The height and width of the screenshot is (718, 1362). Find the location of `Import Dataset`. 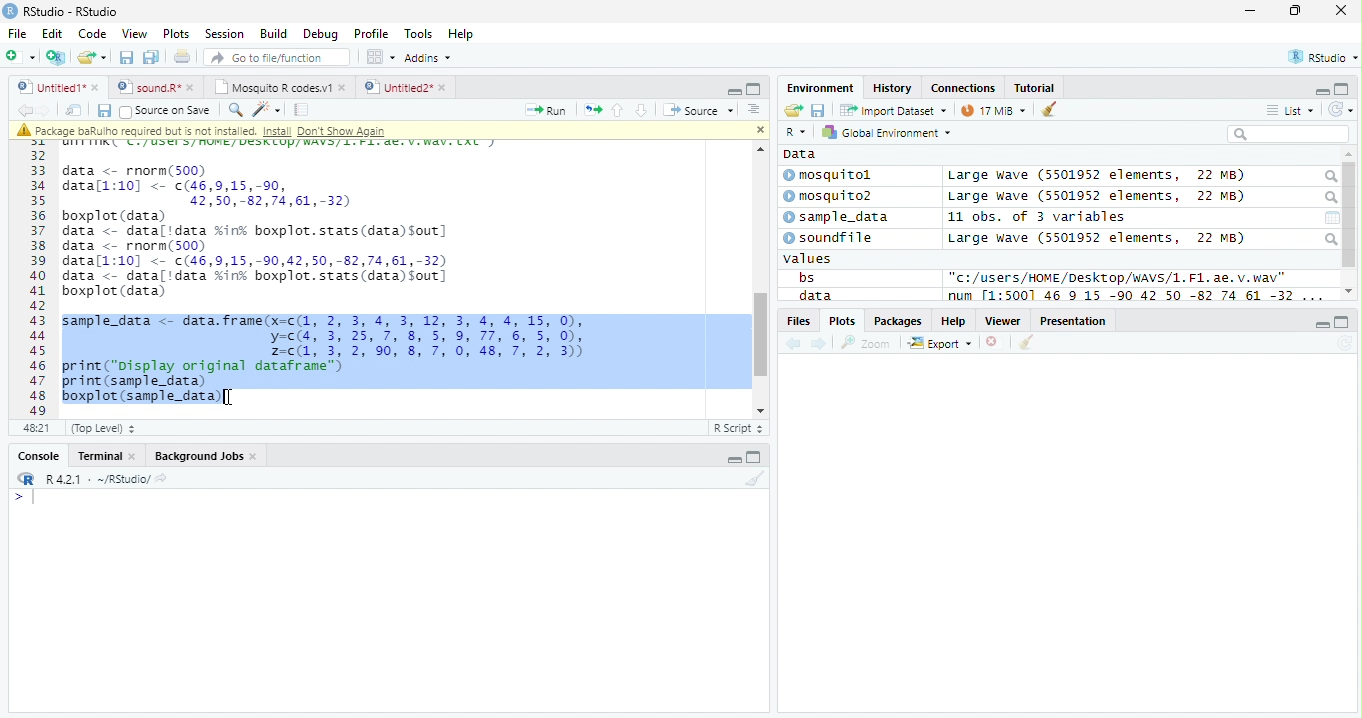

Import Dataset is located at coordinates (893, 111).